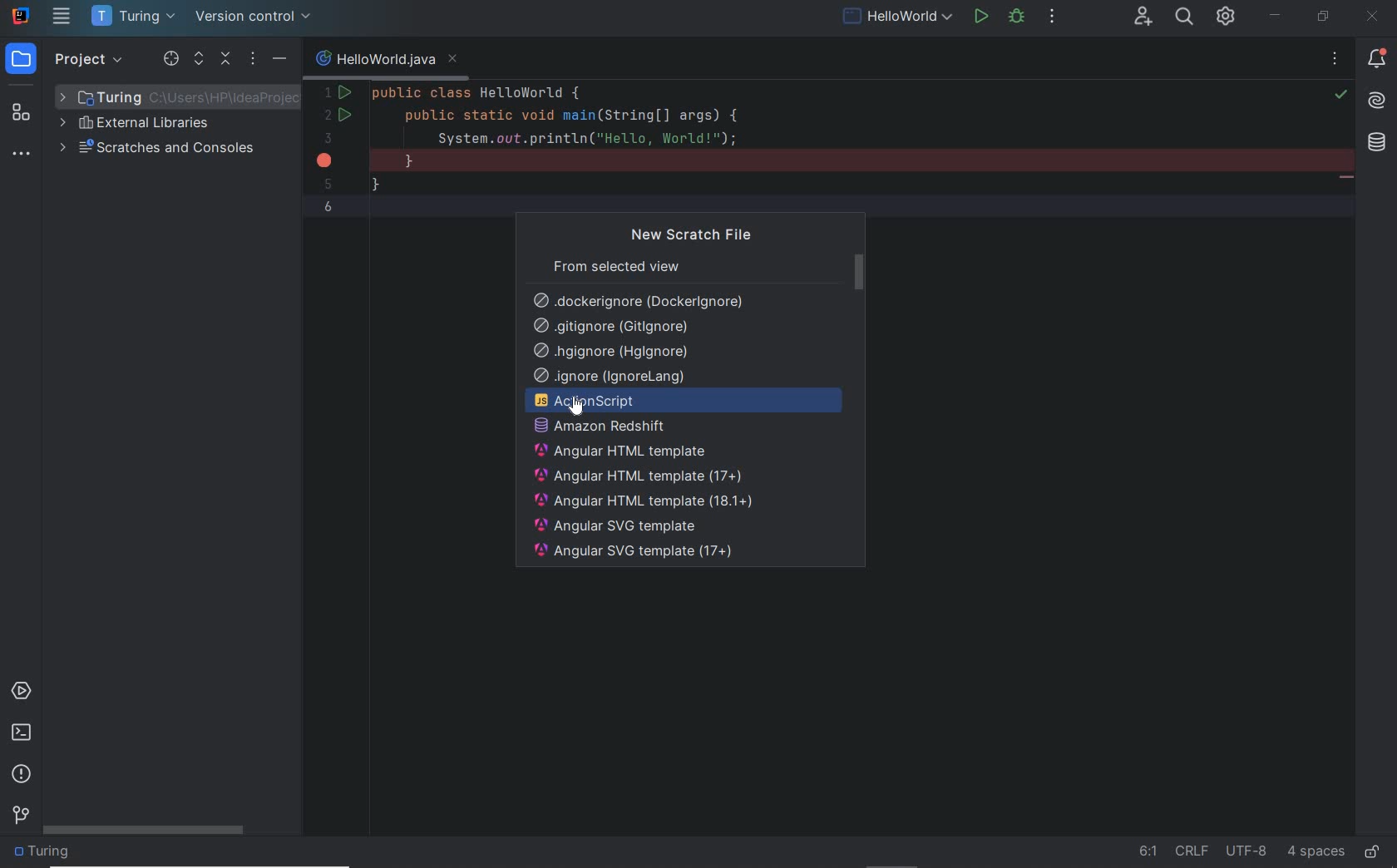 This screenshot has height=868, width=1397. I want to click on terminal, so click(22, 735).